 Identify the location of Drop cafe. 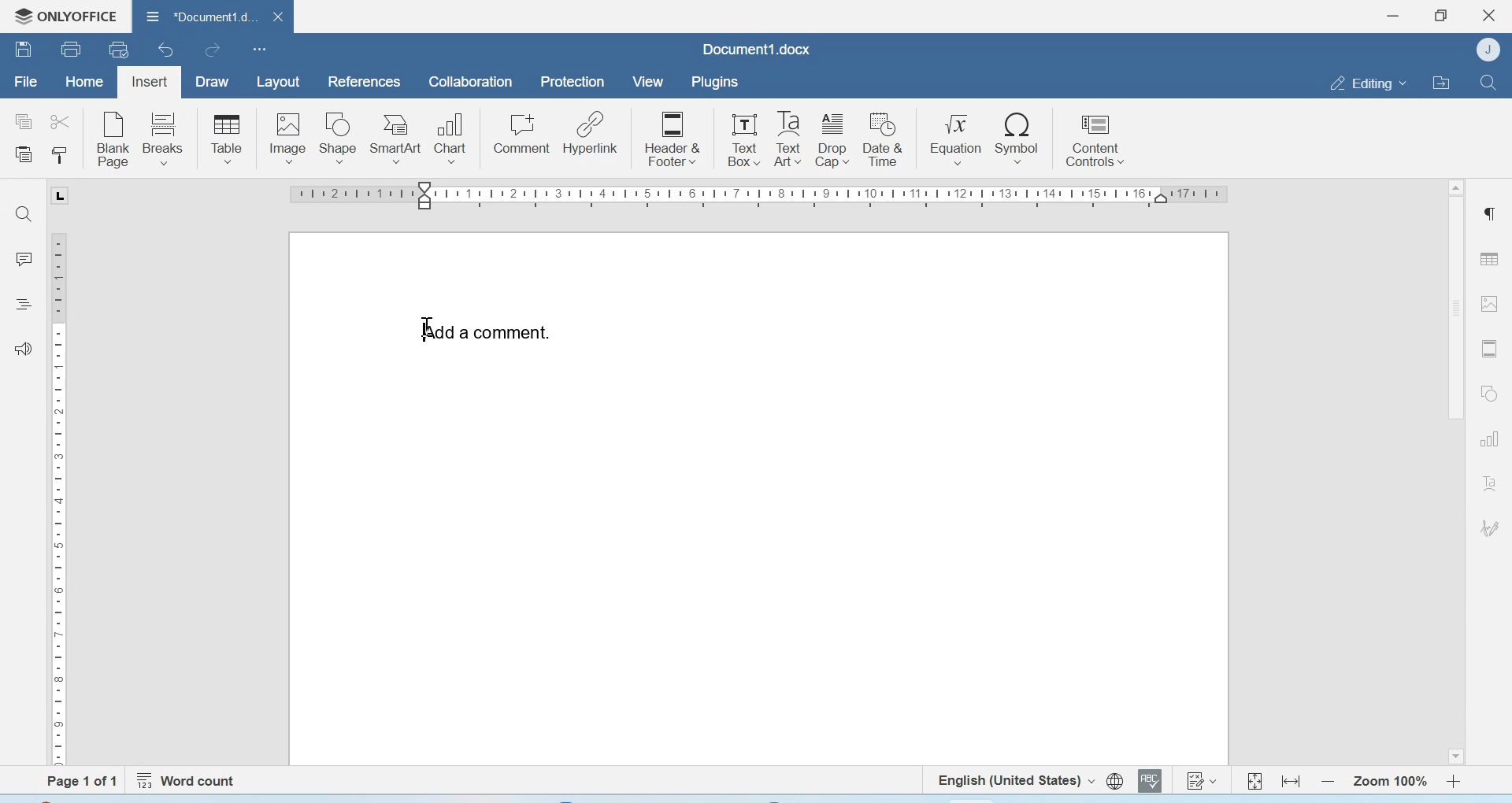
(834, 139).